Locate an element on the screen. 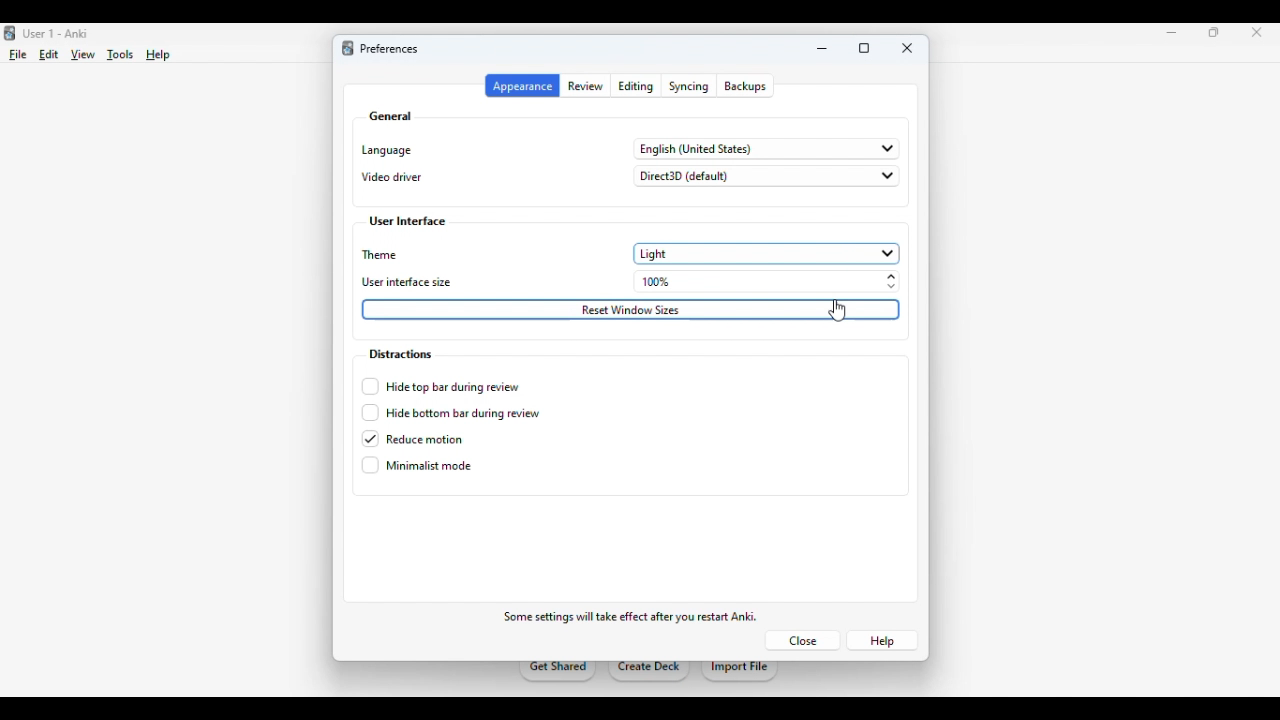  hide top bar during review is located at coordinates (441, 386).